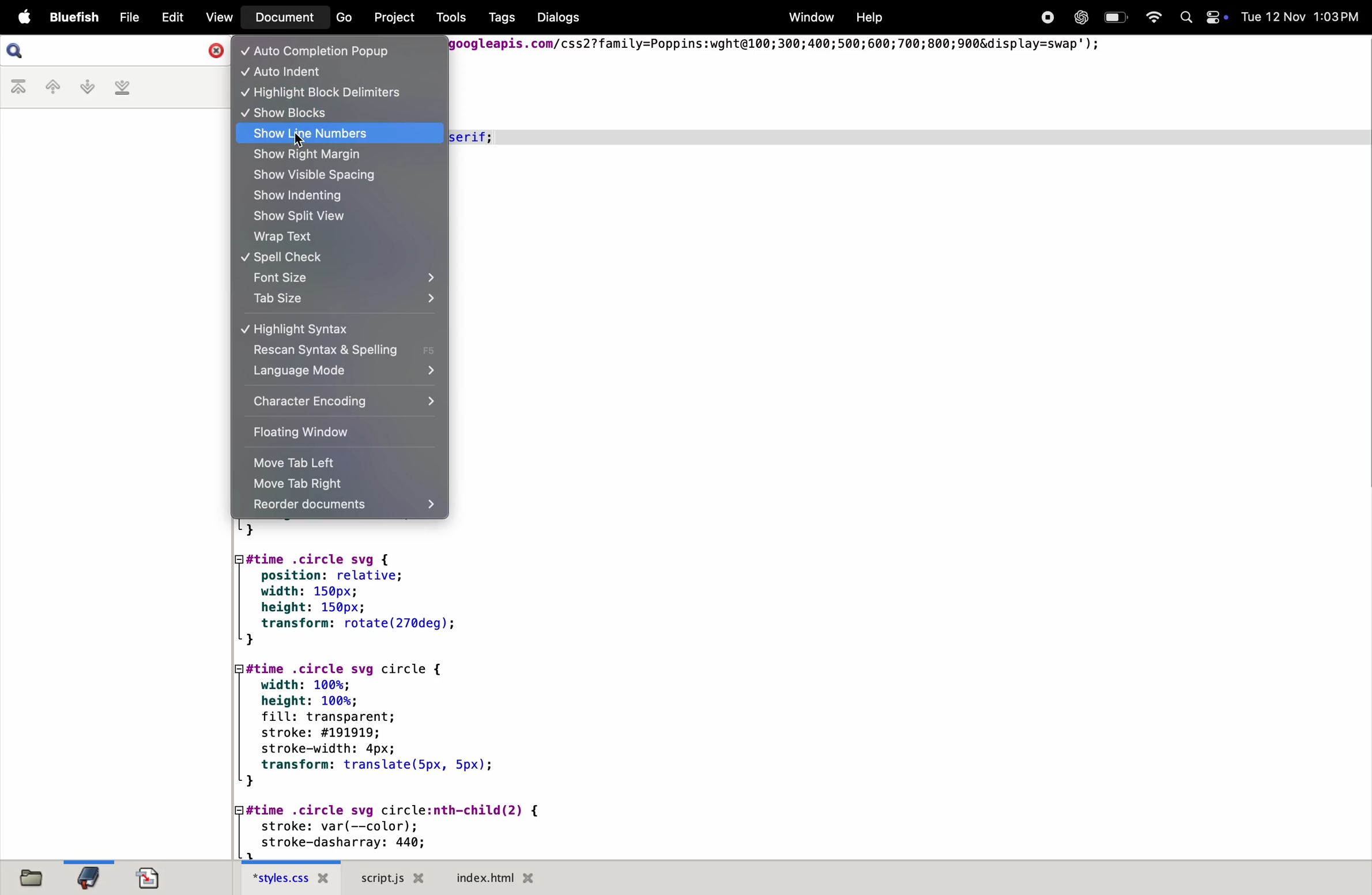 The image size is (1372, 895). Describe the element at coordinates (557, 18) in the screenshot. I see `Dialogs` at that location.